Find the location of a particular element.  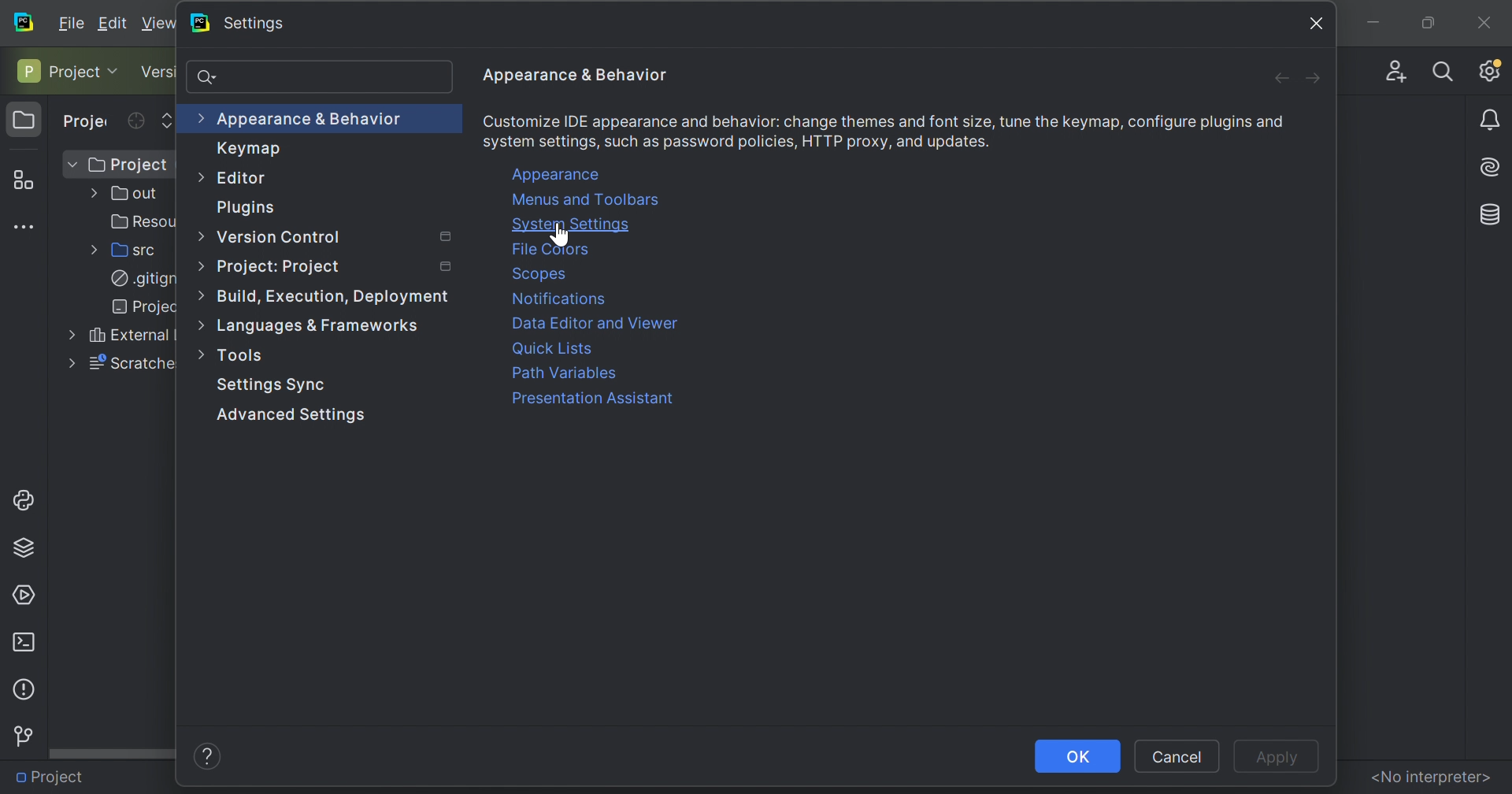

Scroll bar is located at coordinates (113, 752).